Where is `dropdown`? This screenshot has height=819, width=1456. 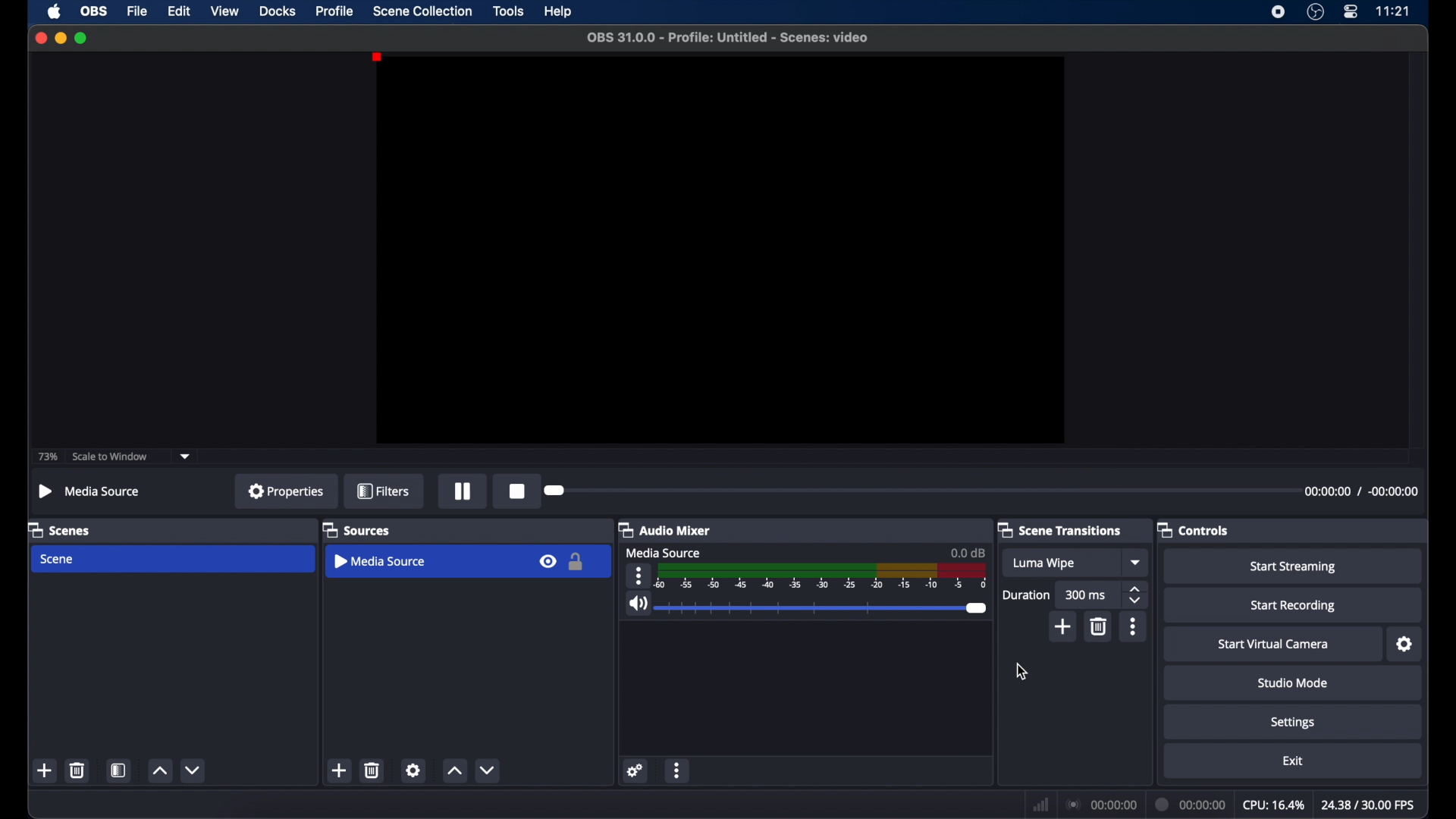 dropdown is located at coordinates (488, 770).